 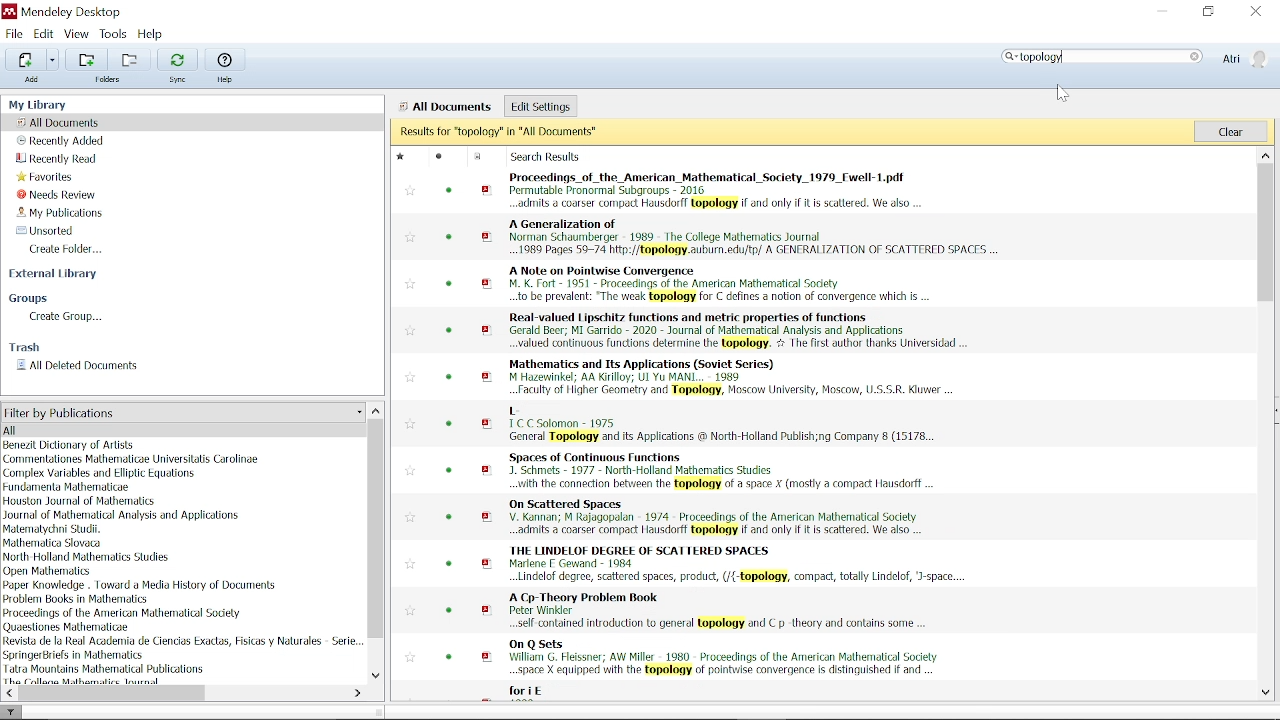 What do you see at coordinates (409, 240) in the screenshot?
I see `favourite` at bounding box center [409, 240].